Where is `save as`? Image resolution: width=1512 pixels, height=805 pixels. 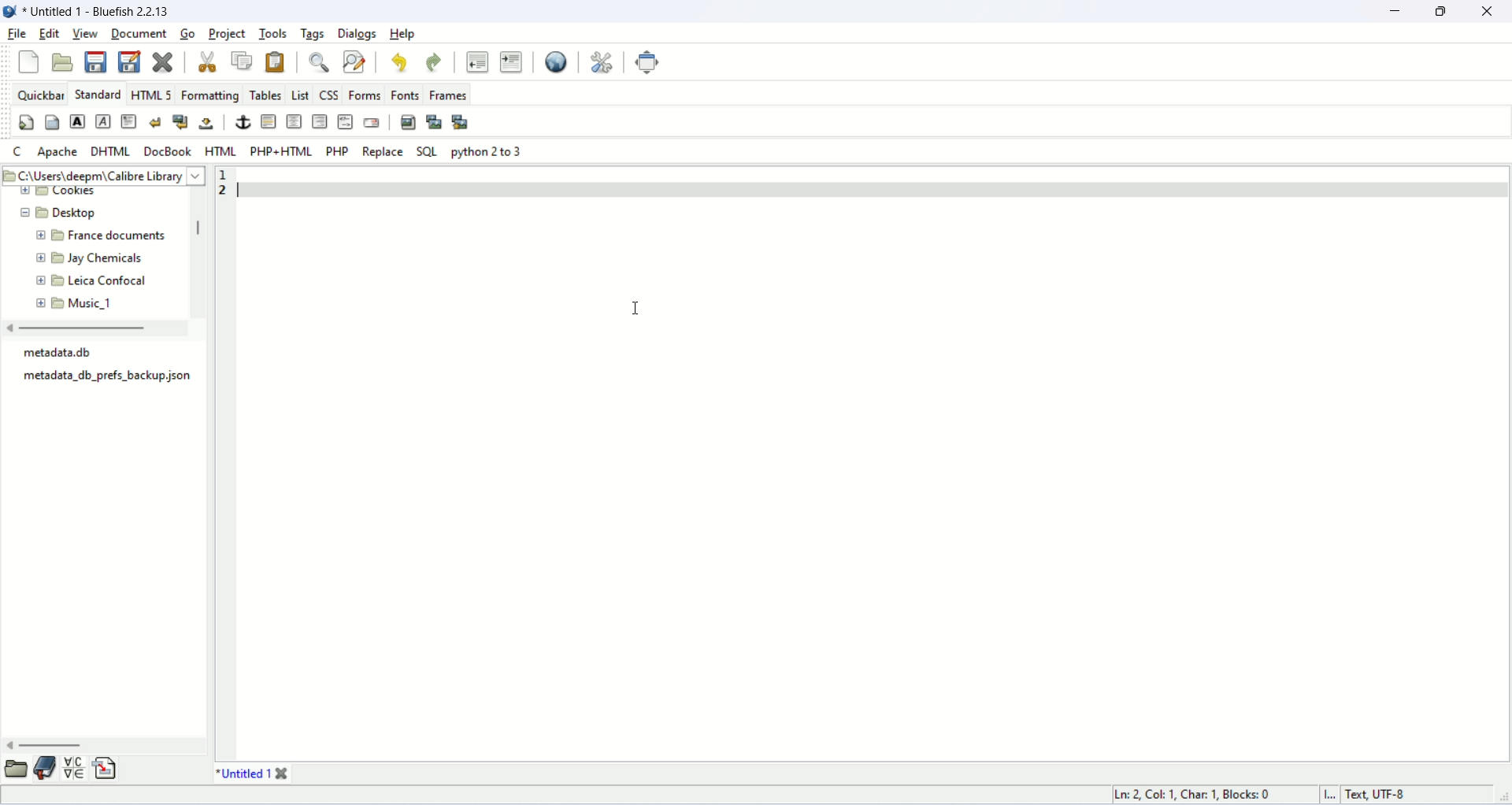 save as is located at coordinates (130, 61).